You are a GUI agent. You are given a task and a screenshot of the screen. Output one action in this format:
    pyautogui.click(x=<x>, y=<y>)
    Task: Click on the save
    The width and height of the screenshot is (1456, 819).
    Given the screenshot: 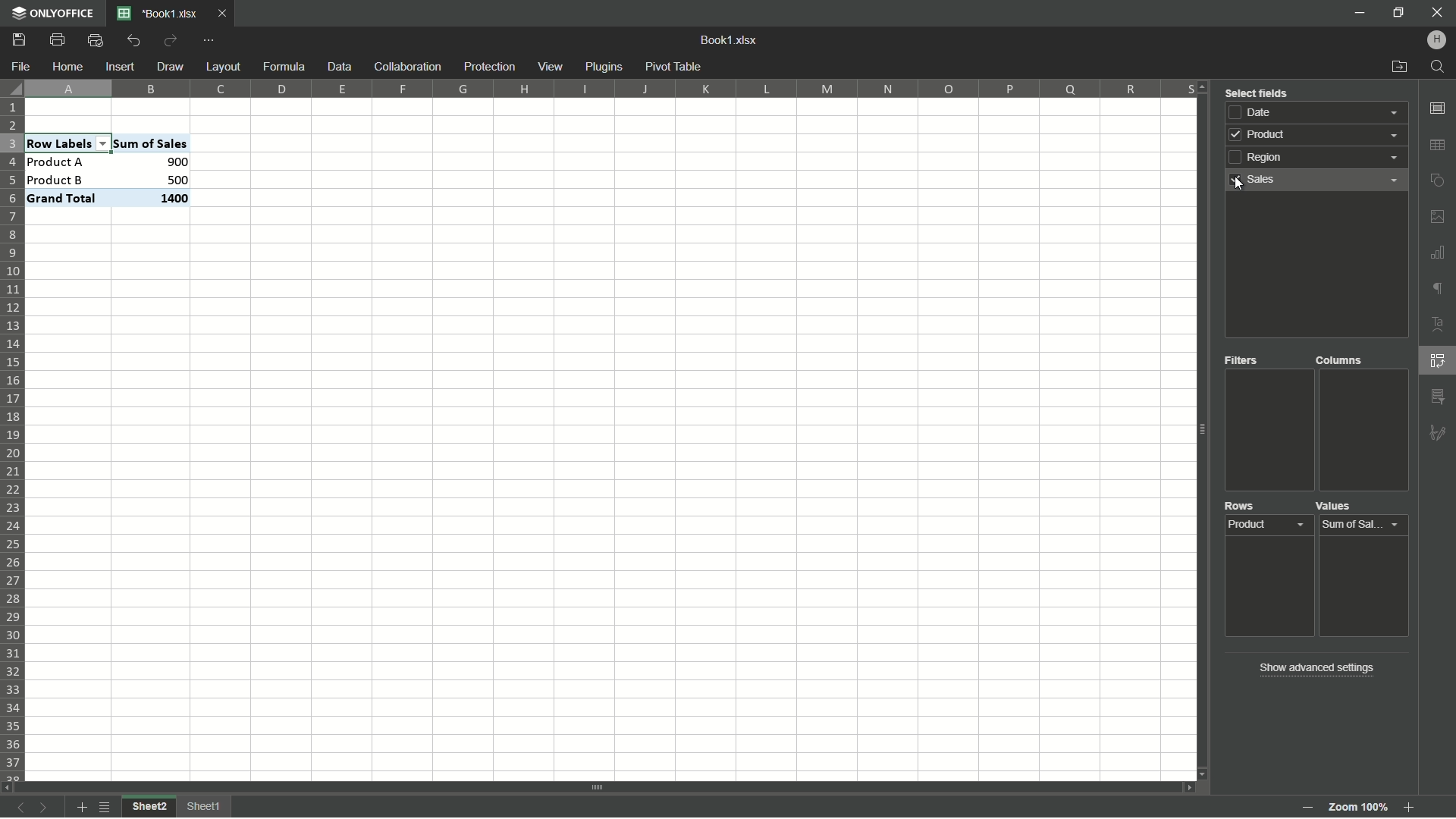 What is the action you would take?
    pyautogui.click(x=20, y=41)
    